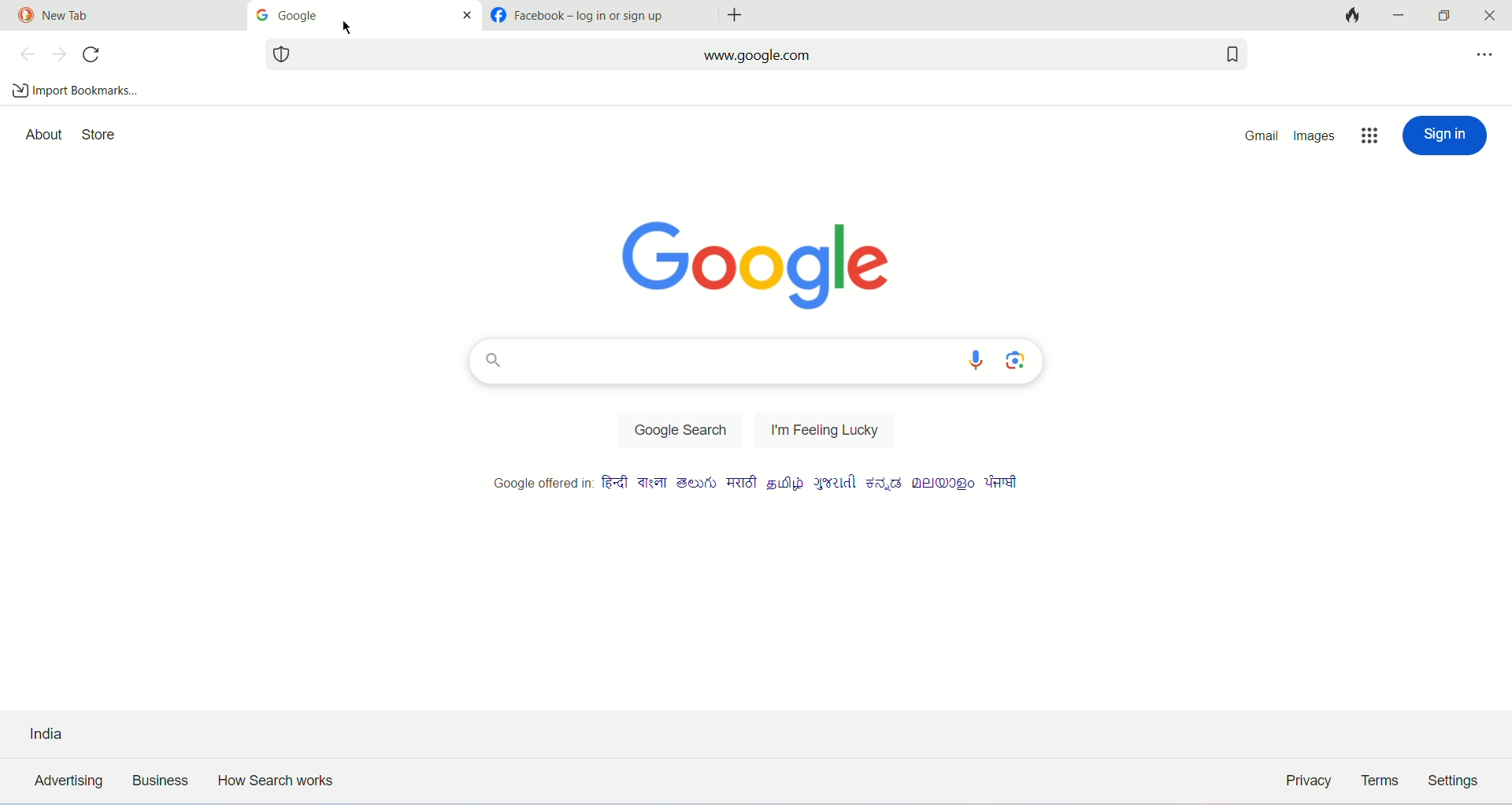 The height and width of the screenshot is (805, 1512). Describe the element at coordinates (121, 17) in the screenshot. I see `tab1` at that location.